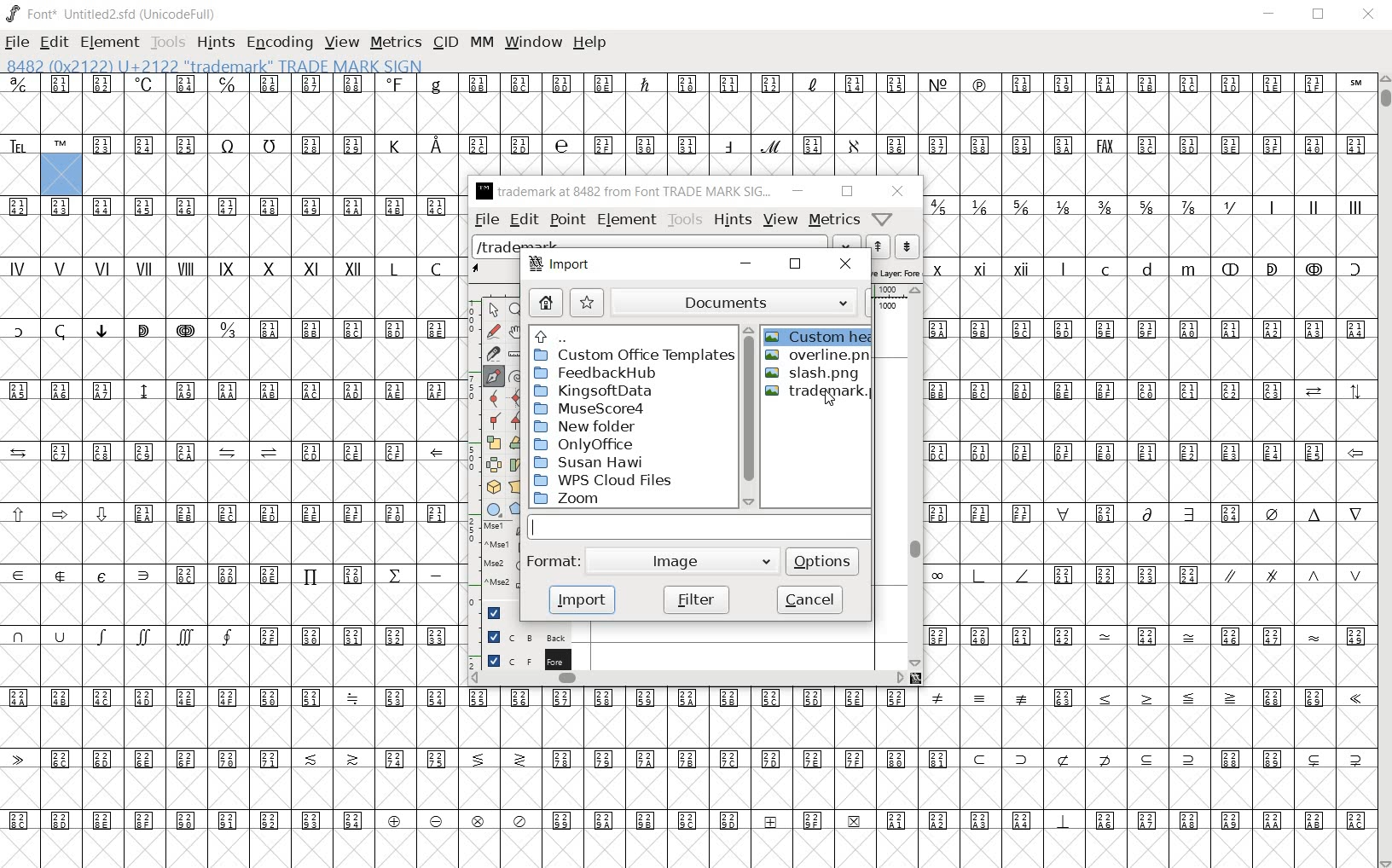 Image resolution: width=1392 pixels, height=868 pixels. I want to click on Add a corner point, so click(493, 420).